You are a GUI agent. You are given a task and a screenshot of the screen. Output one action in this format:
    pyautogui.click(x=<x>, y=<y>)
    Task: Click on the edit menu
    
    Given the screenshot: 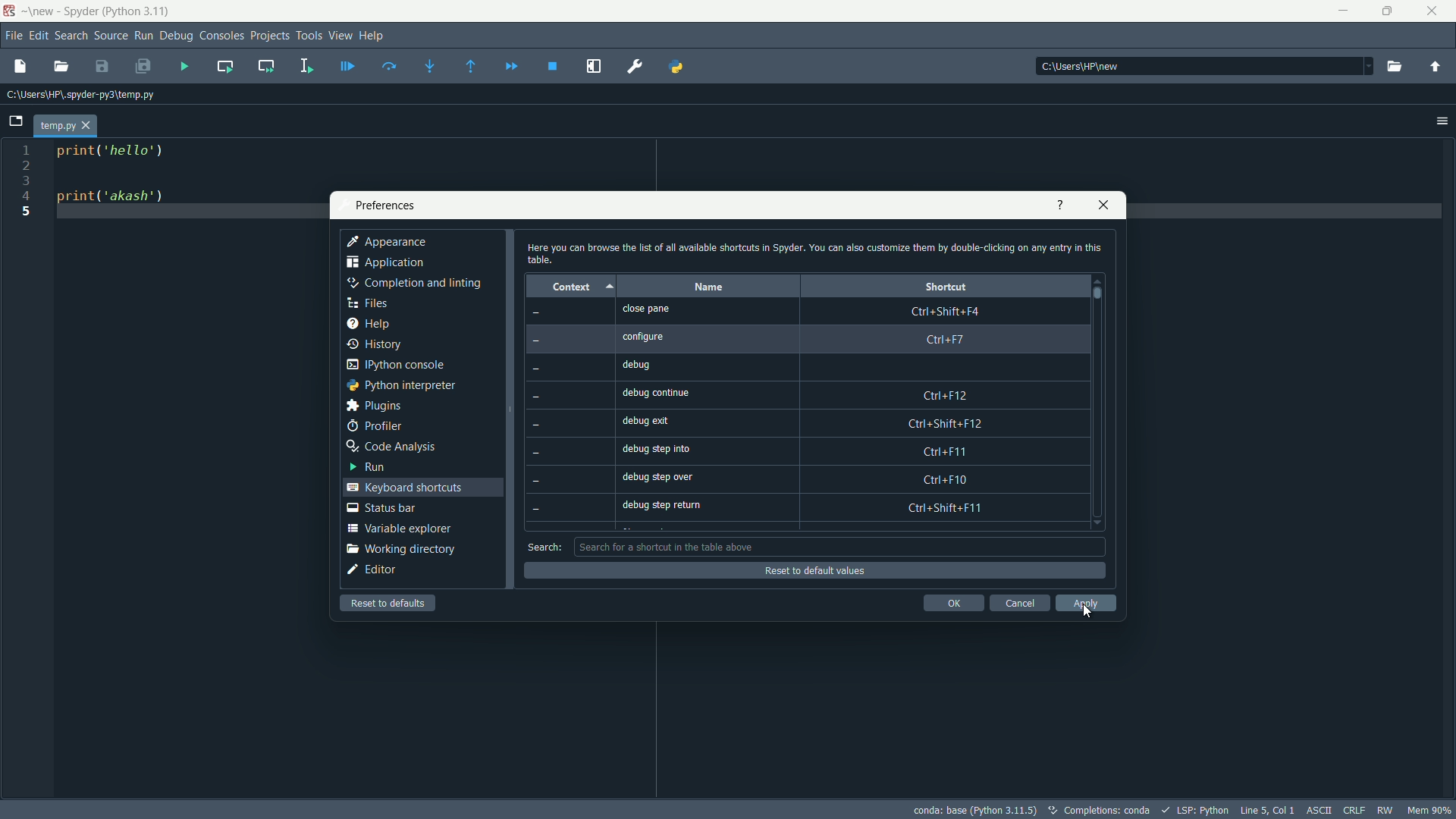 What is the action you would take?
    pyautogui.click(x=38, y=36)
    